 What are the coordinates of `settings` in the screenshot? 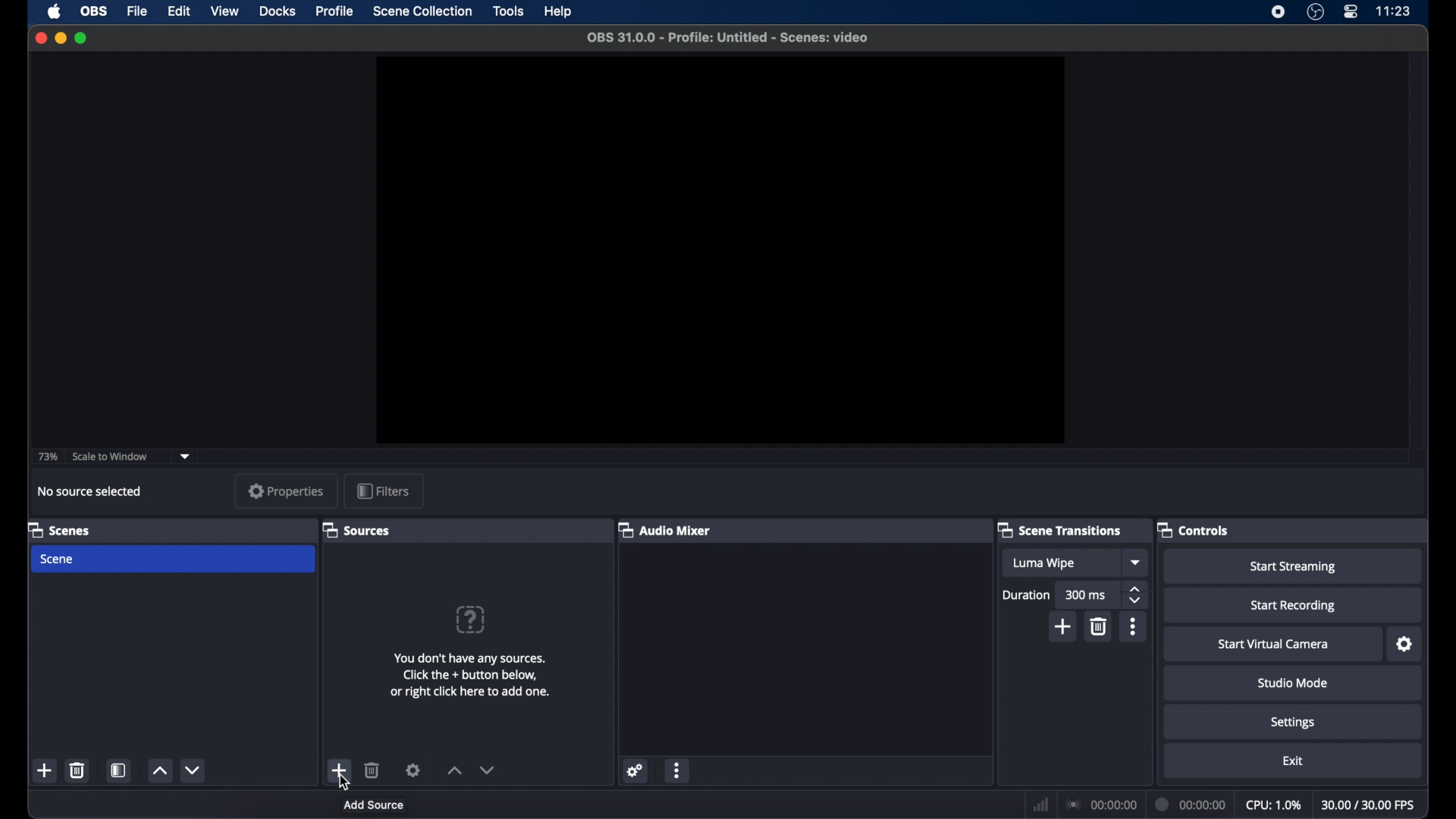 It's located at (1294, 723).